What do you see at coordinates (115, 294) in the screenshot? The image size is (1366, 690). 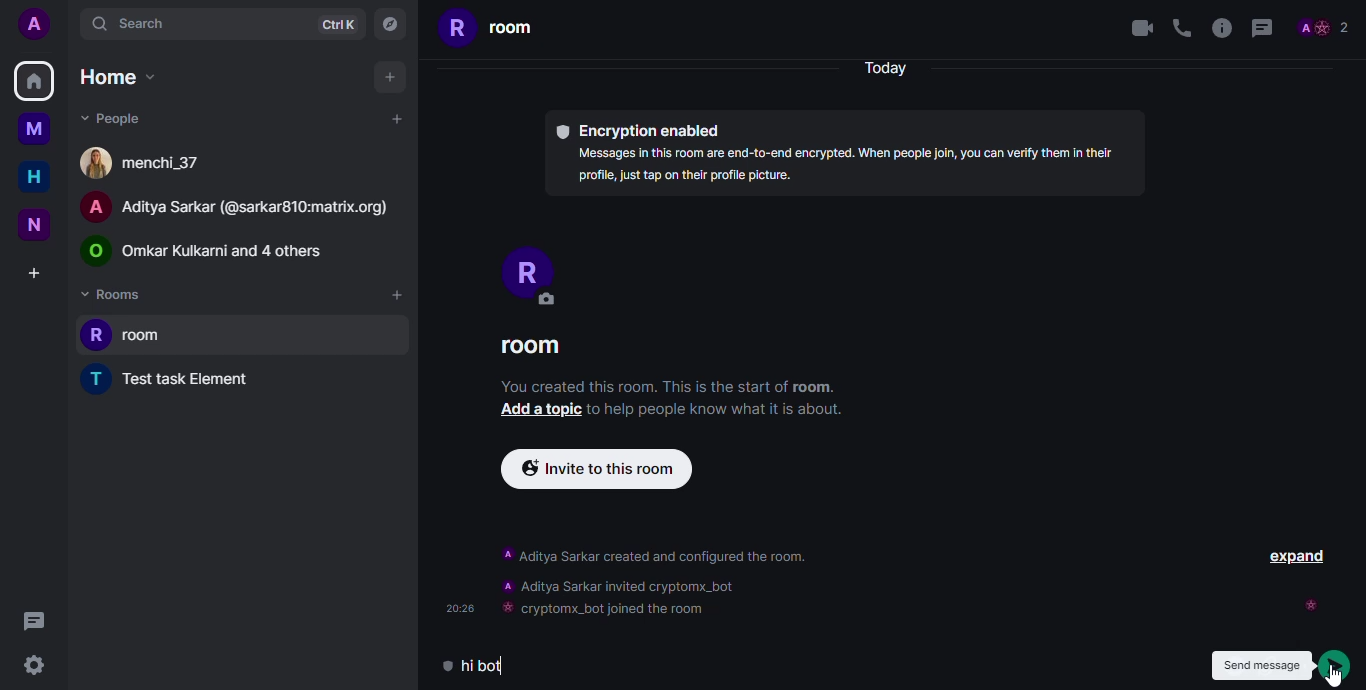 I see `rooms` at bounding box center [115, 294].